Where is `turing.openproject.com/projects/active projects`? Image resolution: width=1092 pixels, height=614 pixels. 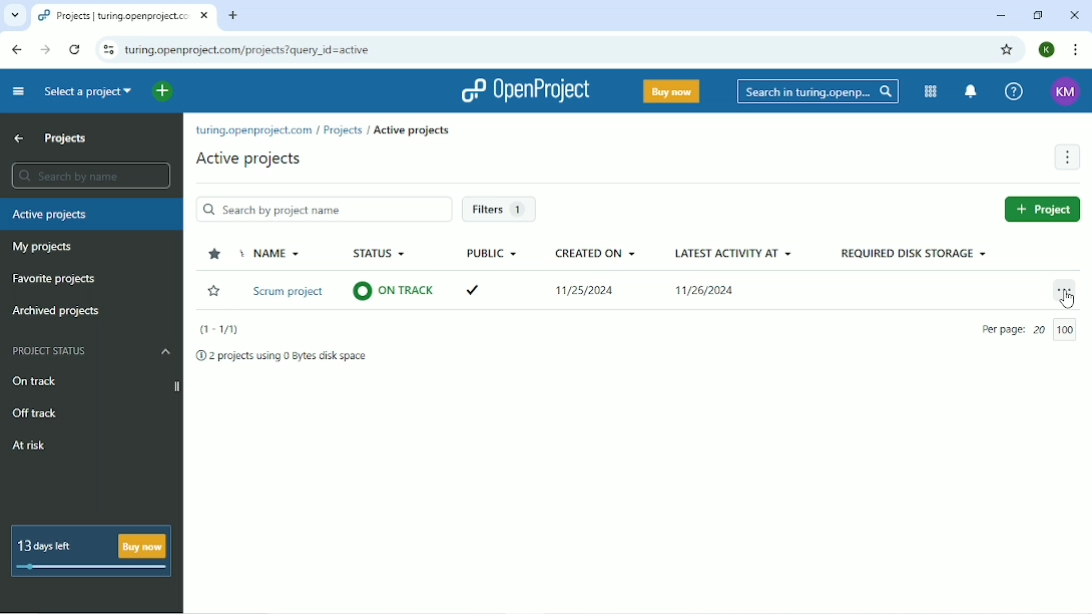
turing.openproject.com/projects/active projects is located at coordinates (329, 129).